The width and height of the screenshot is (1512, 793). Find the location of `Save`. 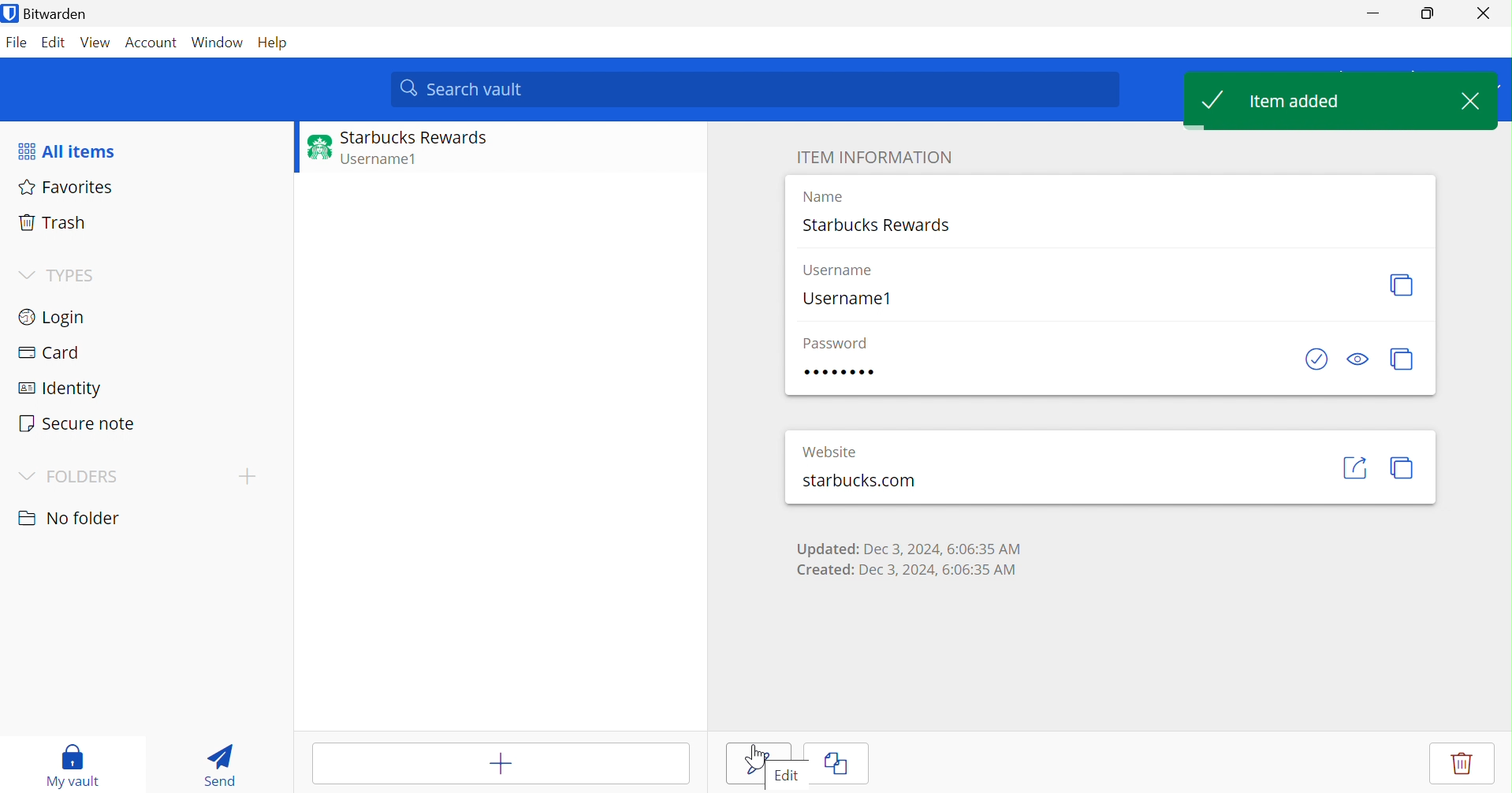

Save is located at coordinates (763, 765).